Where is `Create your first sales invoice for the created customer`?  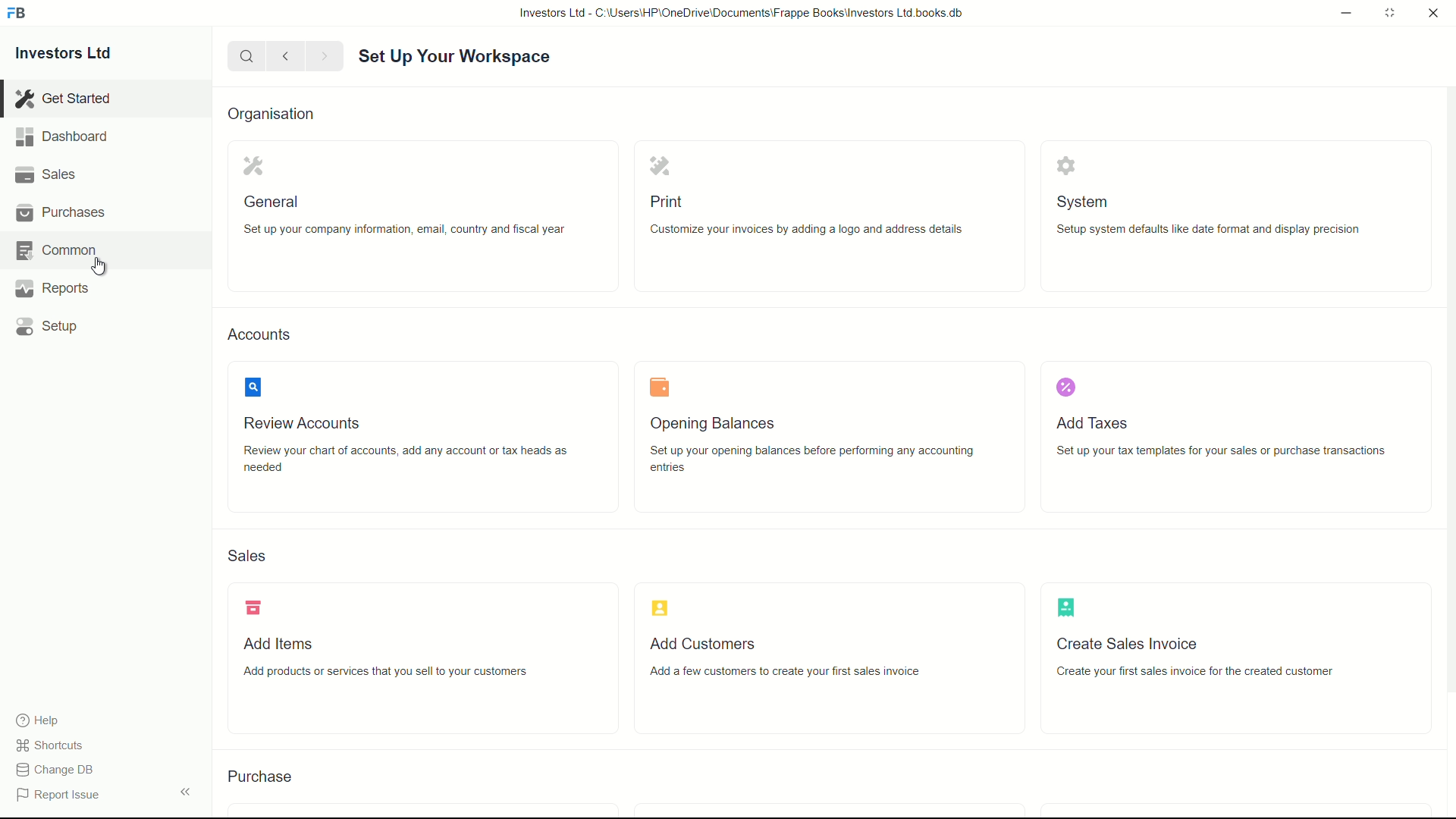 Create your first sales invoice for the created customer is located at coordinates (1219, 672).